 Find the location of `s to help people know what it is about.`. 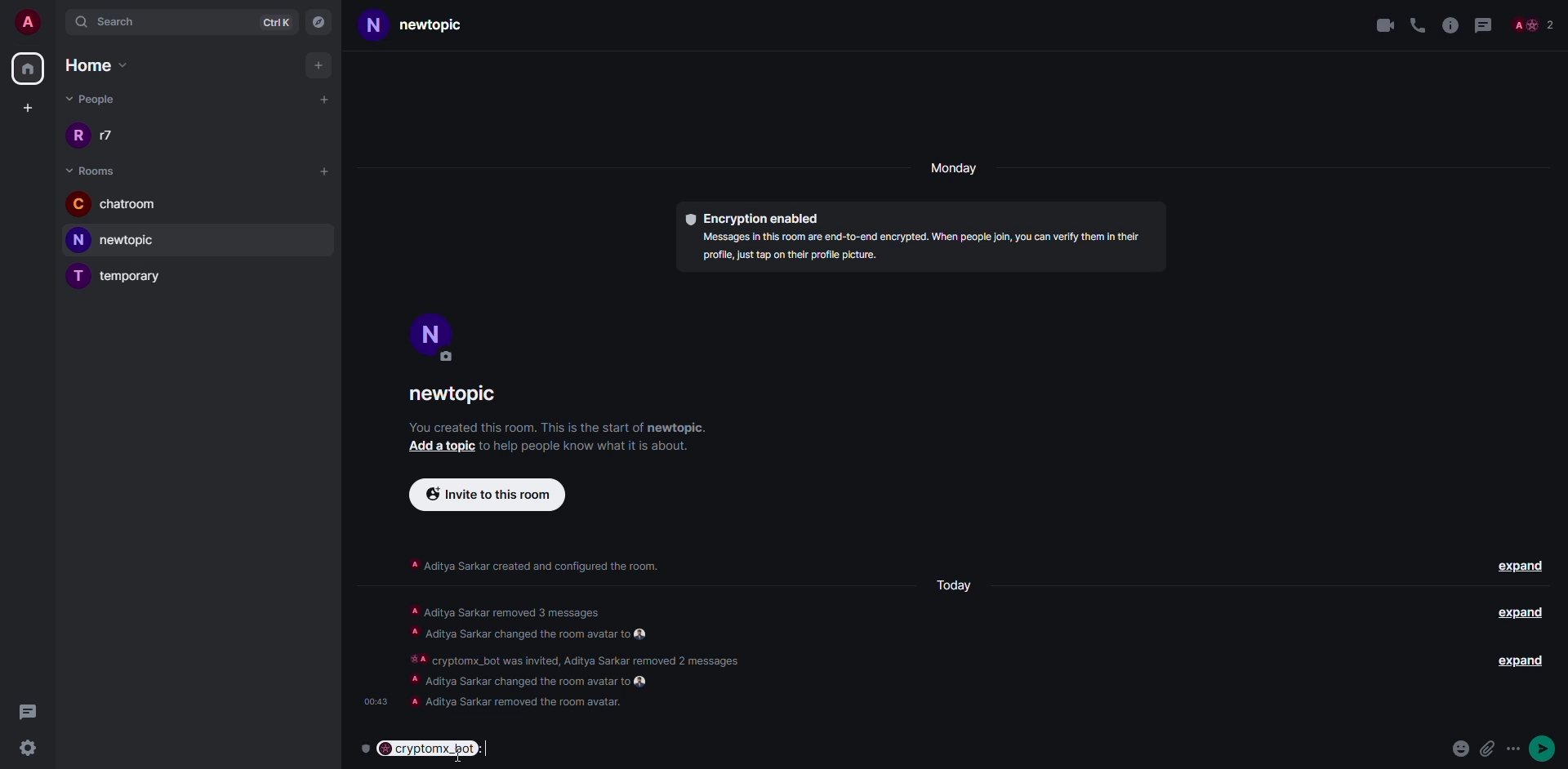

s to help people know what it is about. is located at coordinates (595, 445).